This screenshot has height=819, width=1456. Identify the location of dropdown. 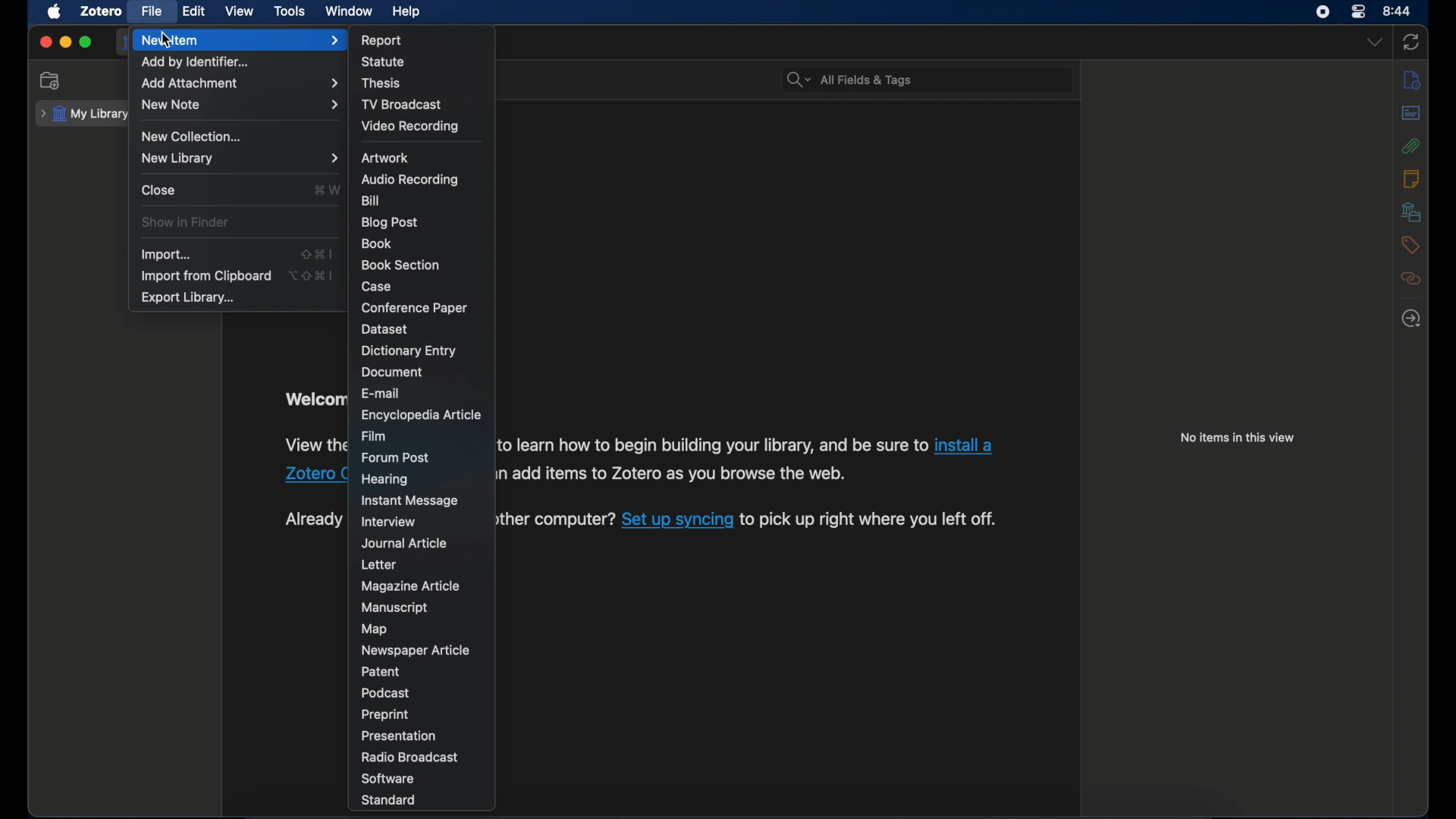
(1375, 42).